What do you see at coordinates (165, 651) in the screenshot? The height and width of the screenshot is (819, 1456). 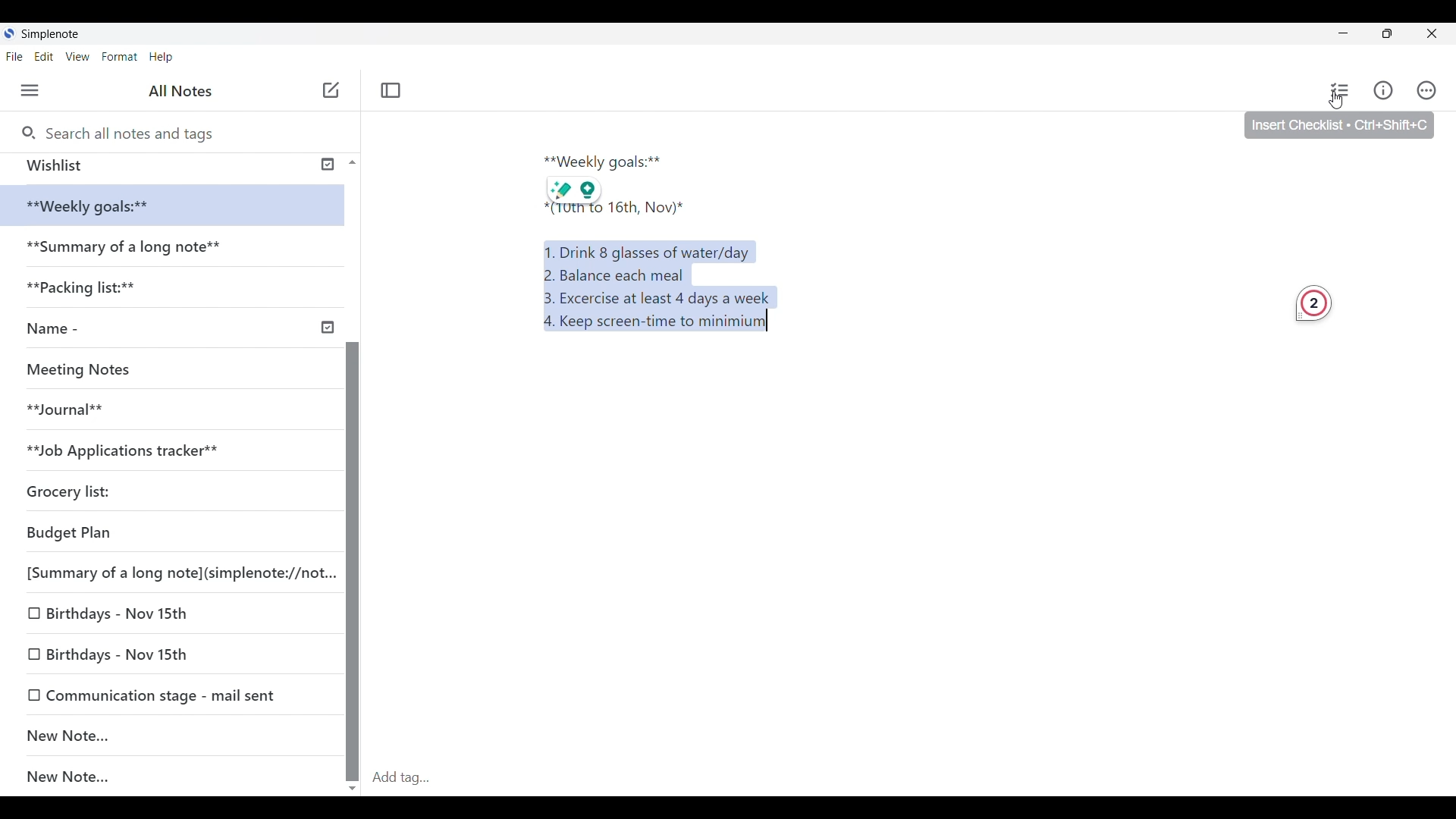 I see `Birthdays - Nov 15th` at bounding box center [165, 651].